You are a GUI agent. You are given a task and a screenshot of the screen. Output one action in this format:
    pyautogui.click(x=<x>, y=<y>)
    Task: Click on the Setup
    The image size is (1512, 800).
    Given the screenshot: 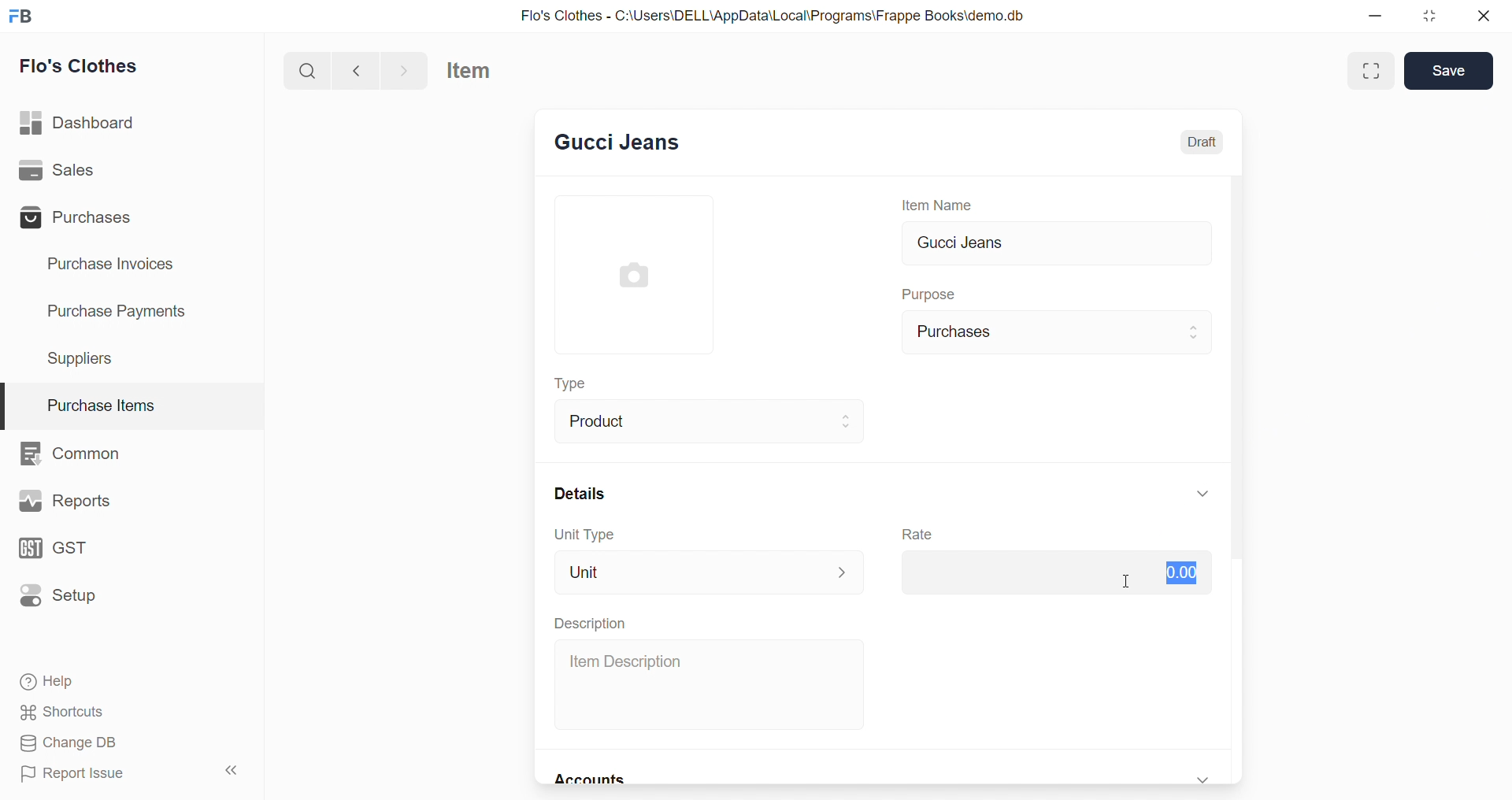 What is the action you would take?
    pyautogui.click(x=69, y=598)
    